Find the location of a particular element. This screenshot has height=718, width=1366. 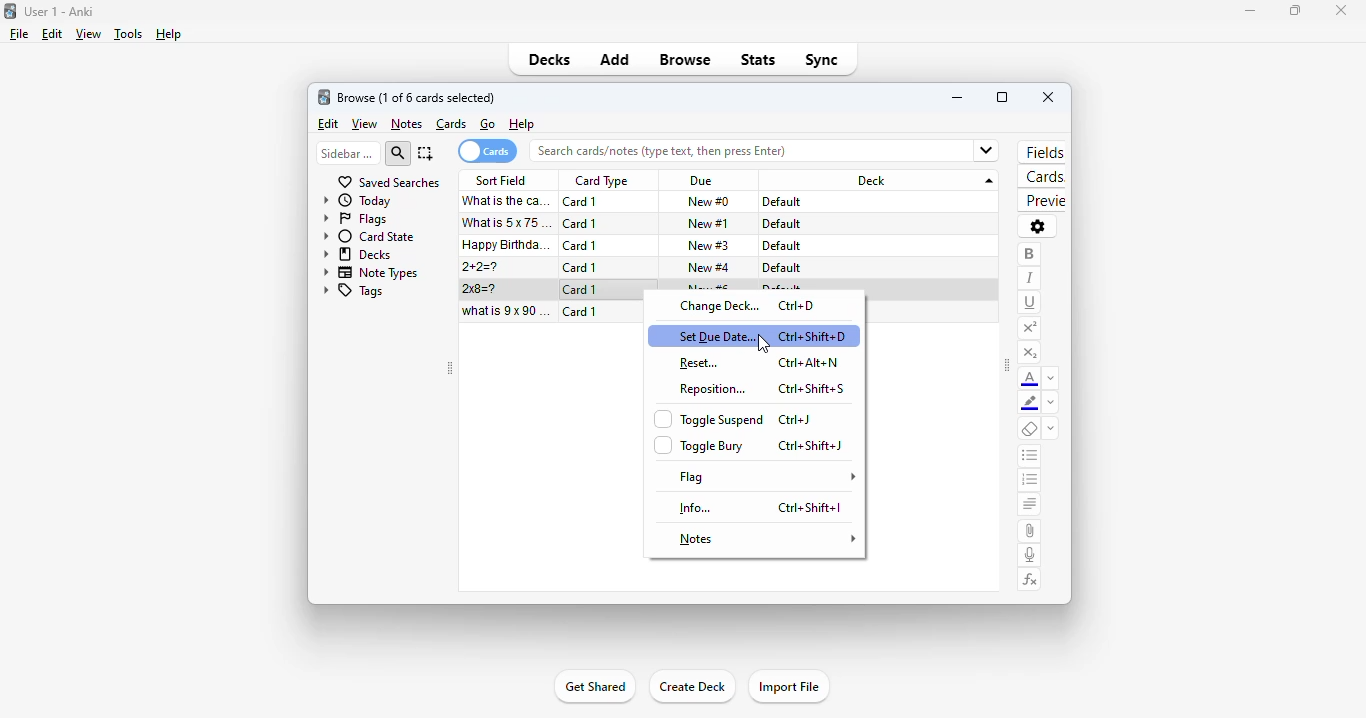

attach pictures/audio/video is located at coordinates (1029, 531).